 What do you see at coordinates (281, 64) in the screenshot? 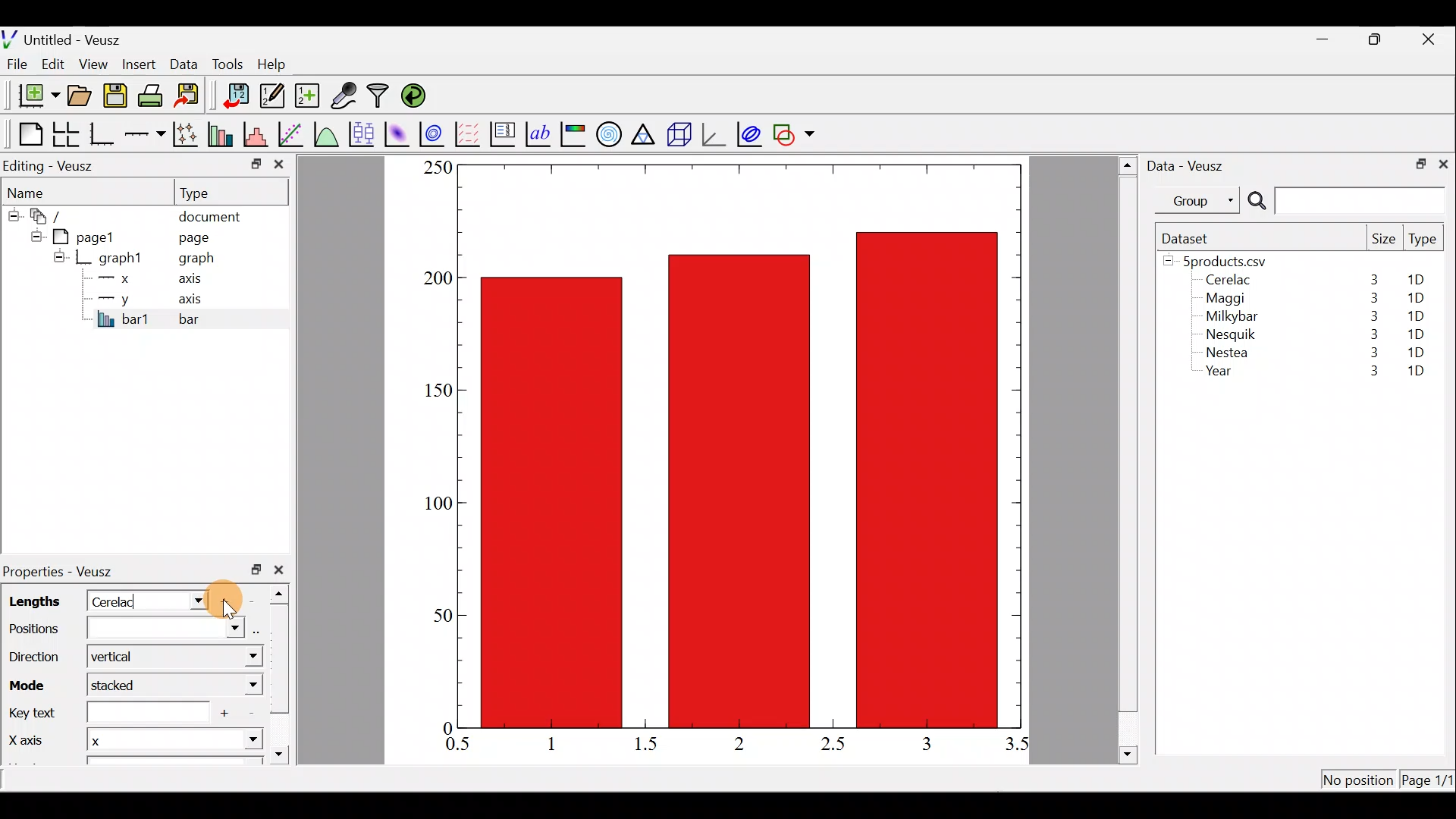
I see `Help` at bounding box center [281, 64].